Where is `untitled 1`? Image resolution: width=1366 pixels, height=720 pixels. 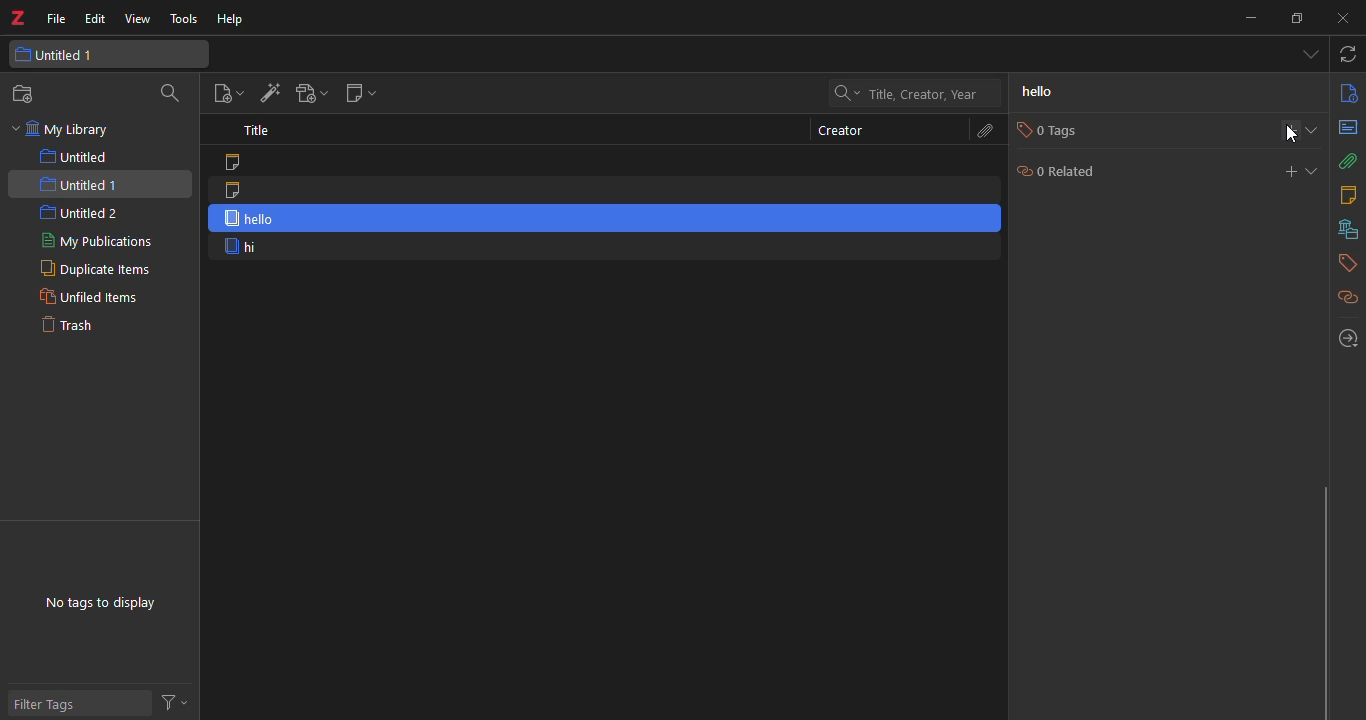 untitled 1 is located at coordinates (74, 55).